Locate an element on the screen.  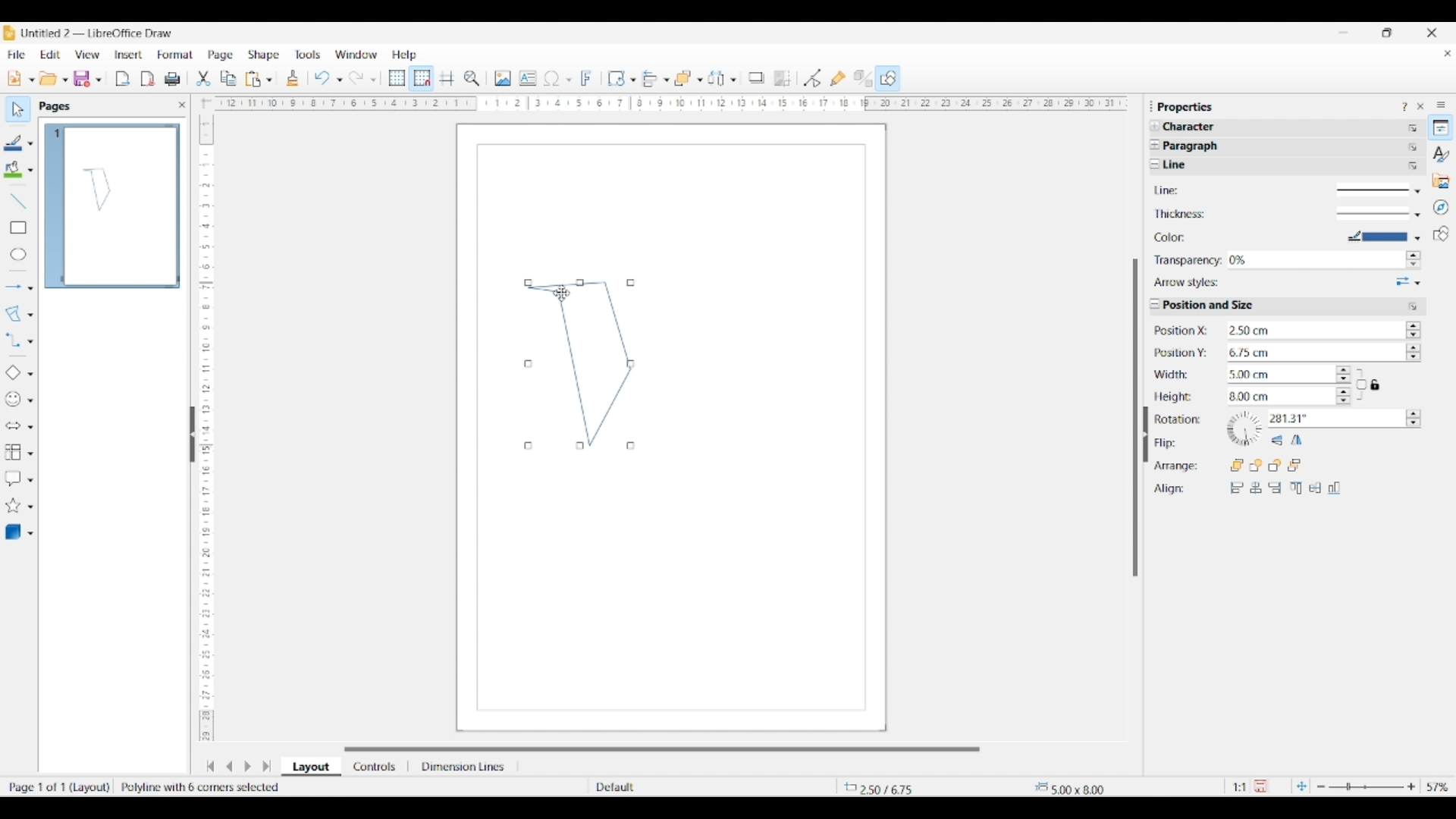
Selected new document is located at coordinates (14, 78).